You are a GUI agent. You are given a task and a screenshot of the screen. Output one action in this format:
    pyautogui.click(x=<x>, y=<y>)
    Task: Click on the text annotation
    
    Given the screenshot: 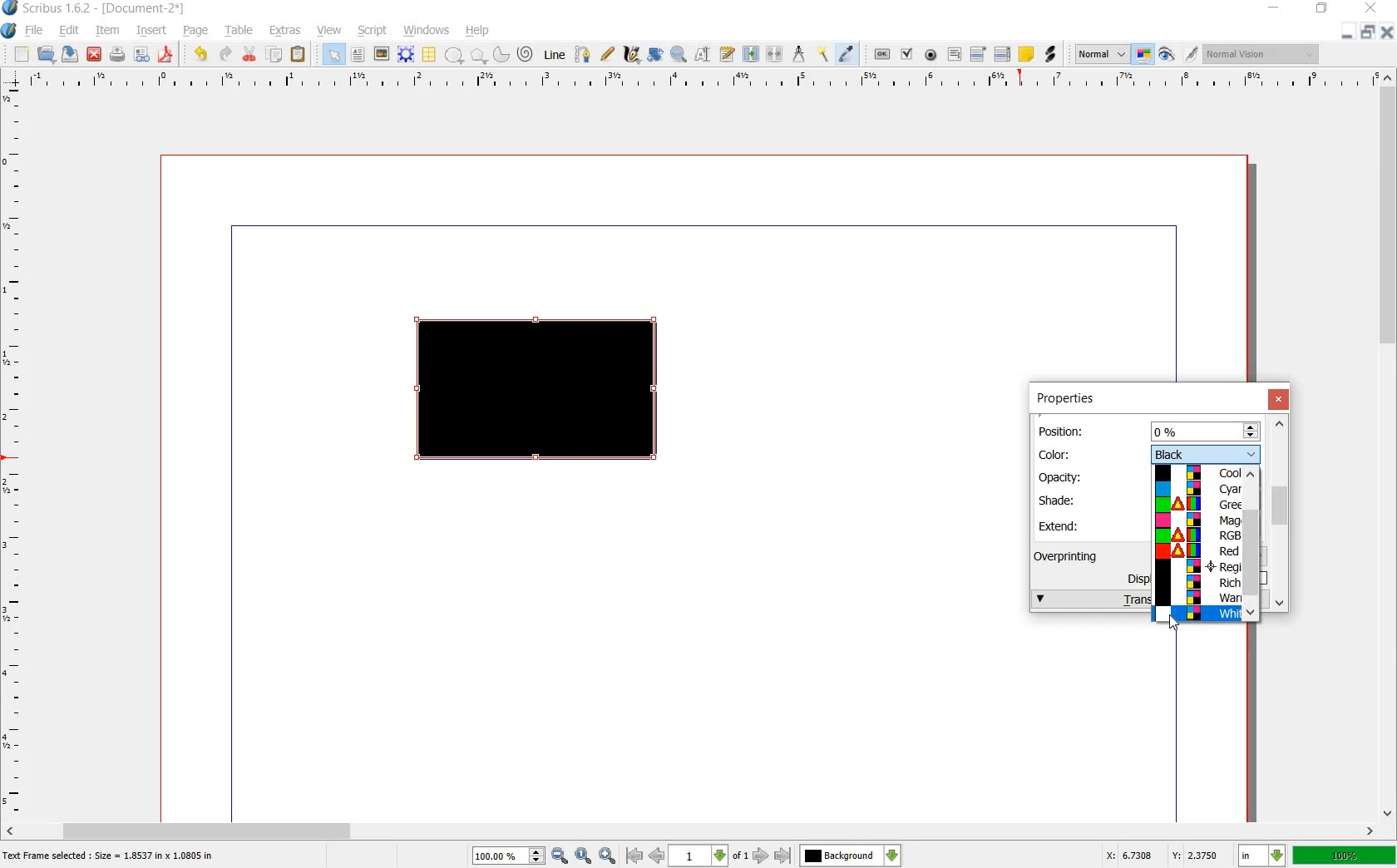 What is the action you would take?
    pyautogui.click(x=1026, y=54)
    